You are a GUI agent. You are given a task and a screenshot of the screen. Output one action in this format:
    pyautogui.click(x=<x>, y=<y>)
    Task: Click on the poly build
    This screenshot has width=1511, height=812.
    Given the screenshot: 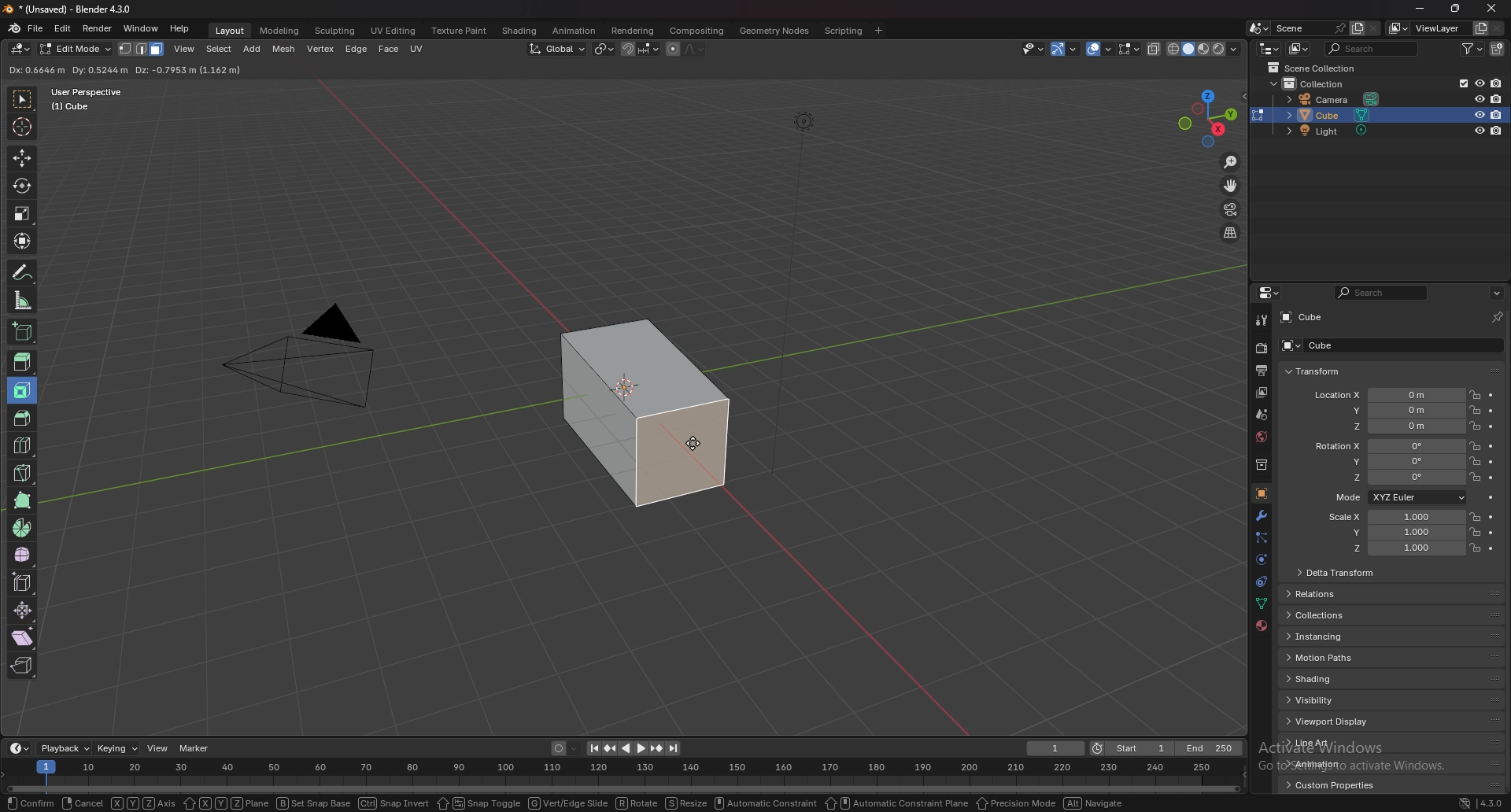 What is the action you would take?
    pyautogui.click(x=24, y=500)
    